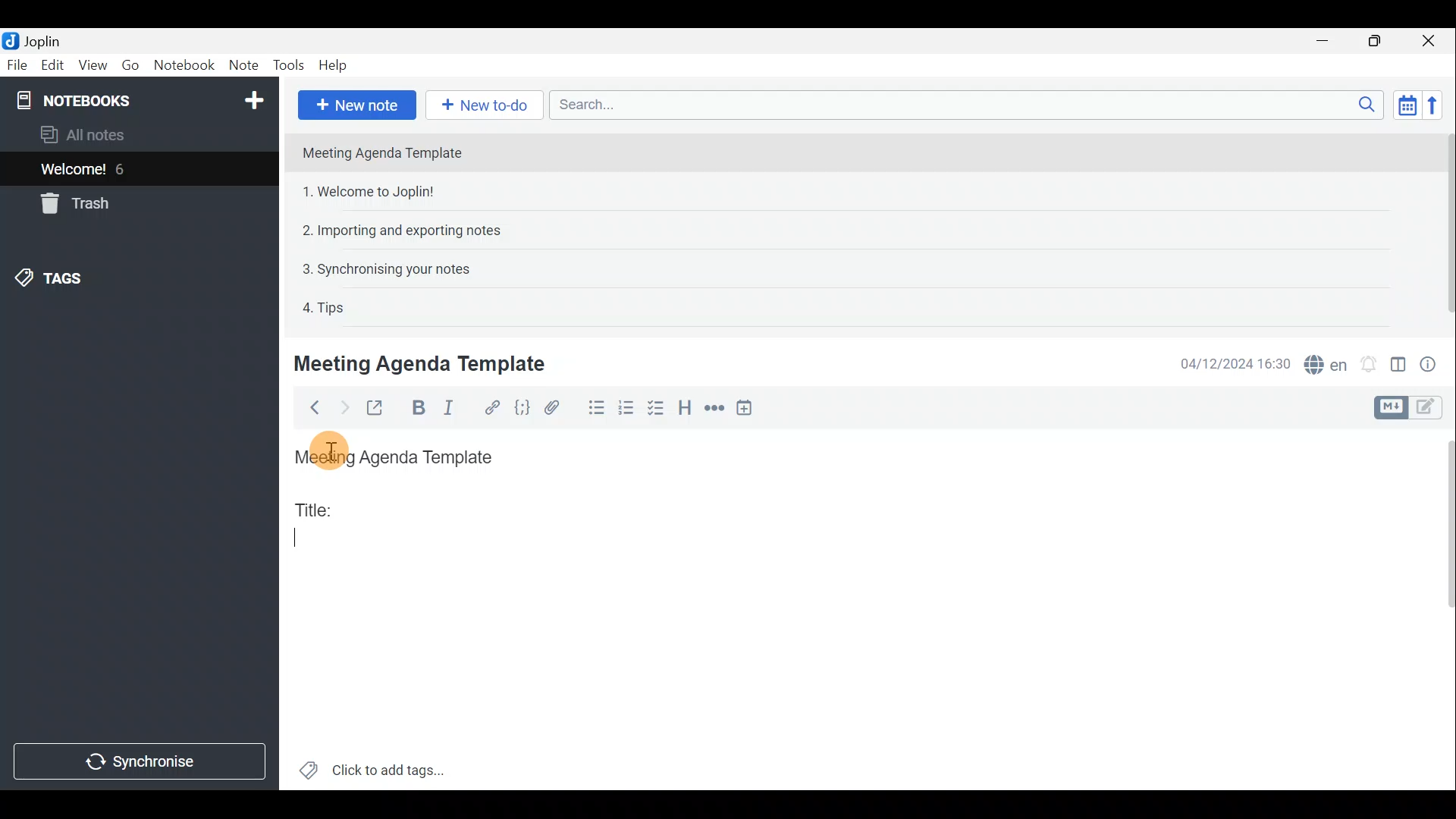 This screenshot has width=1456, height=819. Describe the element at coordinates (494, 407) in the screenshot. I see `Hyperlink` at that location.